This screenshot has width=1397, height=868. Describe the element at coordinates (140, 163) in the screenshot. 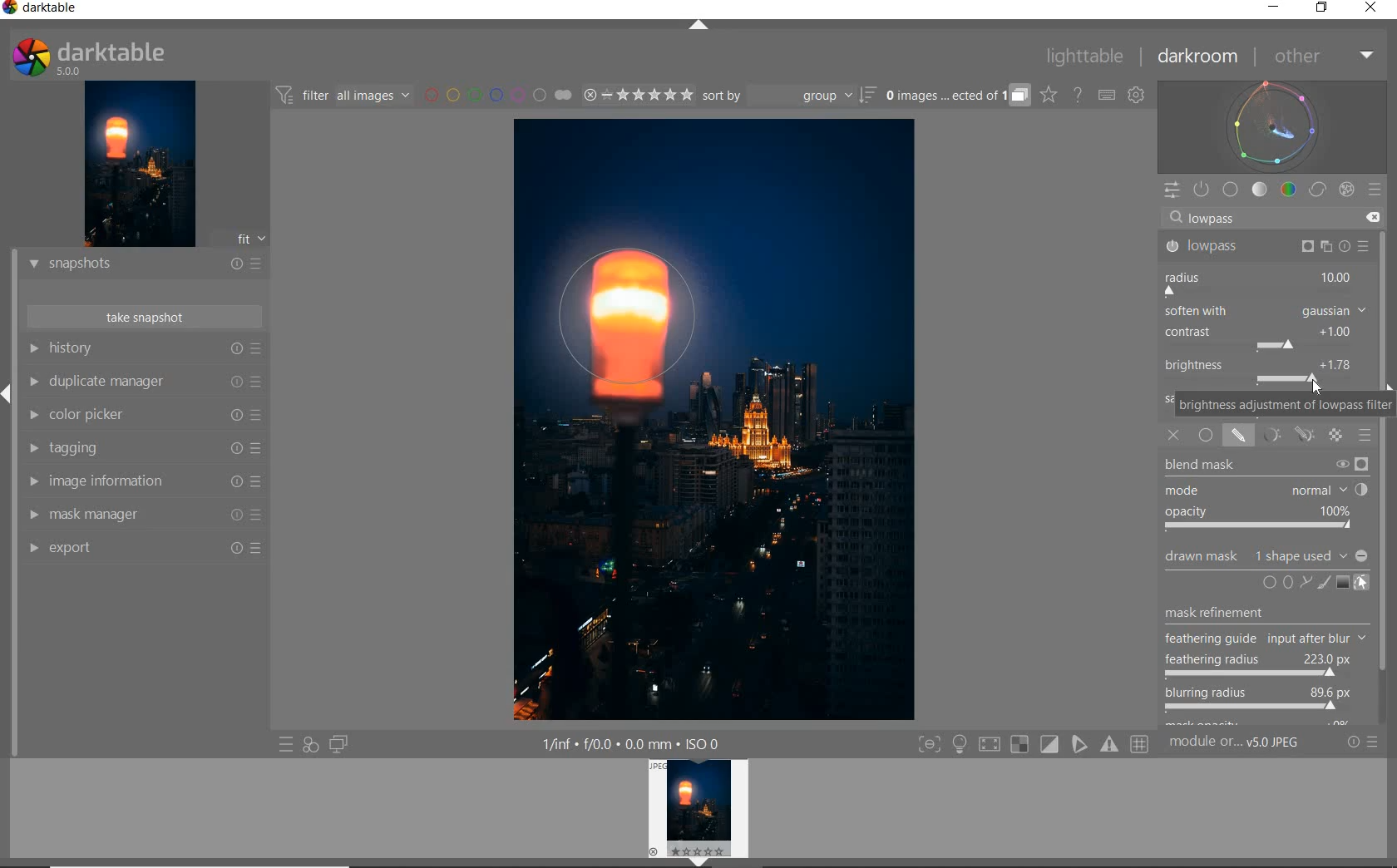

I see `IMAGE PREVIEW` at that location.